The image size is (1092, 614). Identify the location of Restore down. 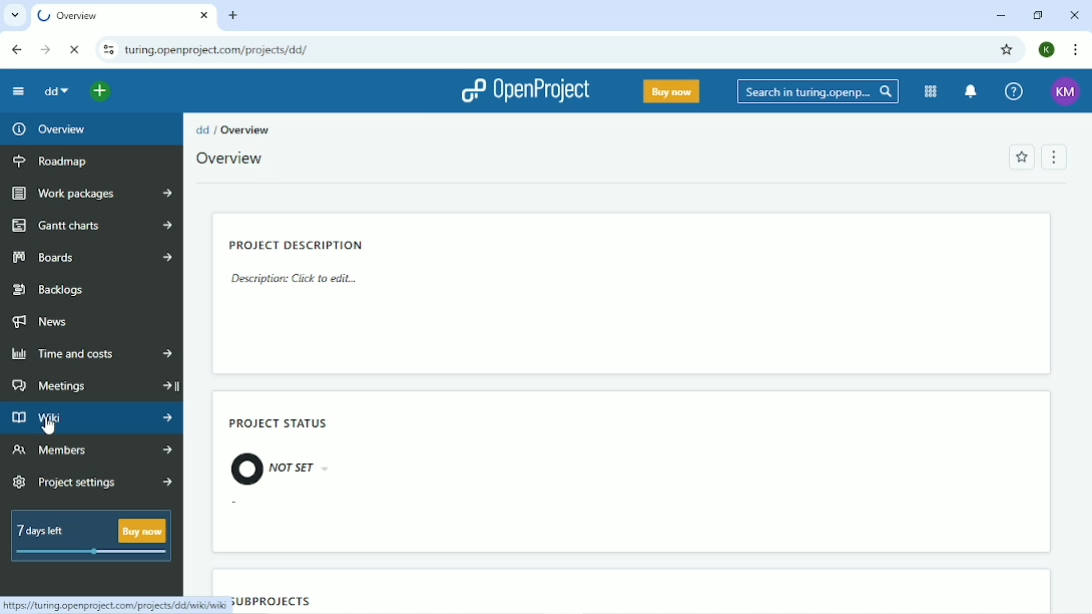
(1037, 15).